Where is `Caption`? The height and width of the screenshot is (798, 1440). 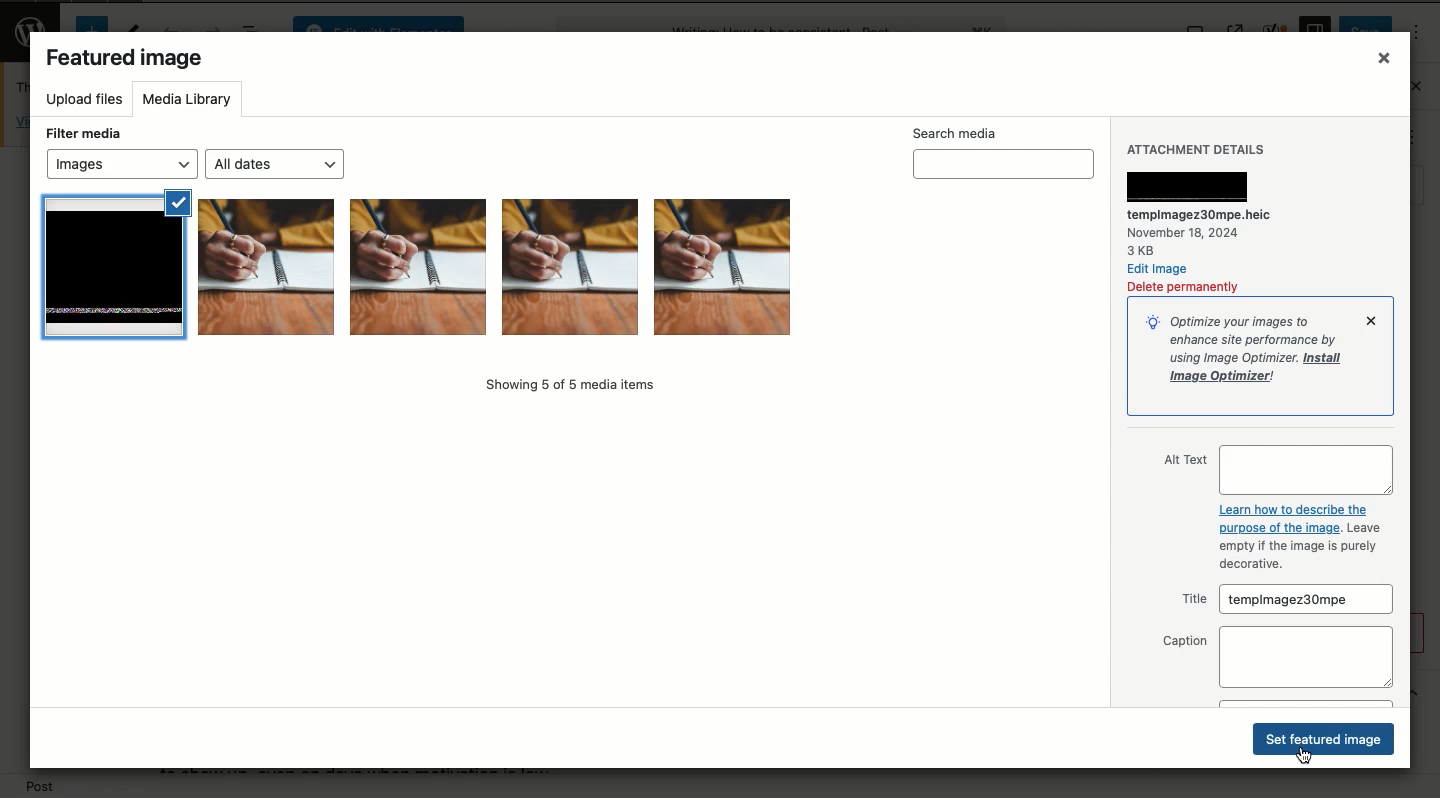 Caption is located at coordinates (1277, 655).